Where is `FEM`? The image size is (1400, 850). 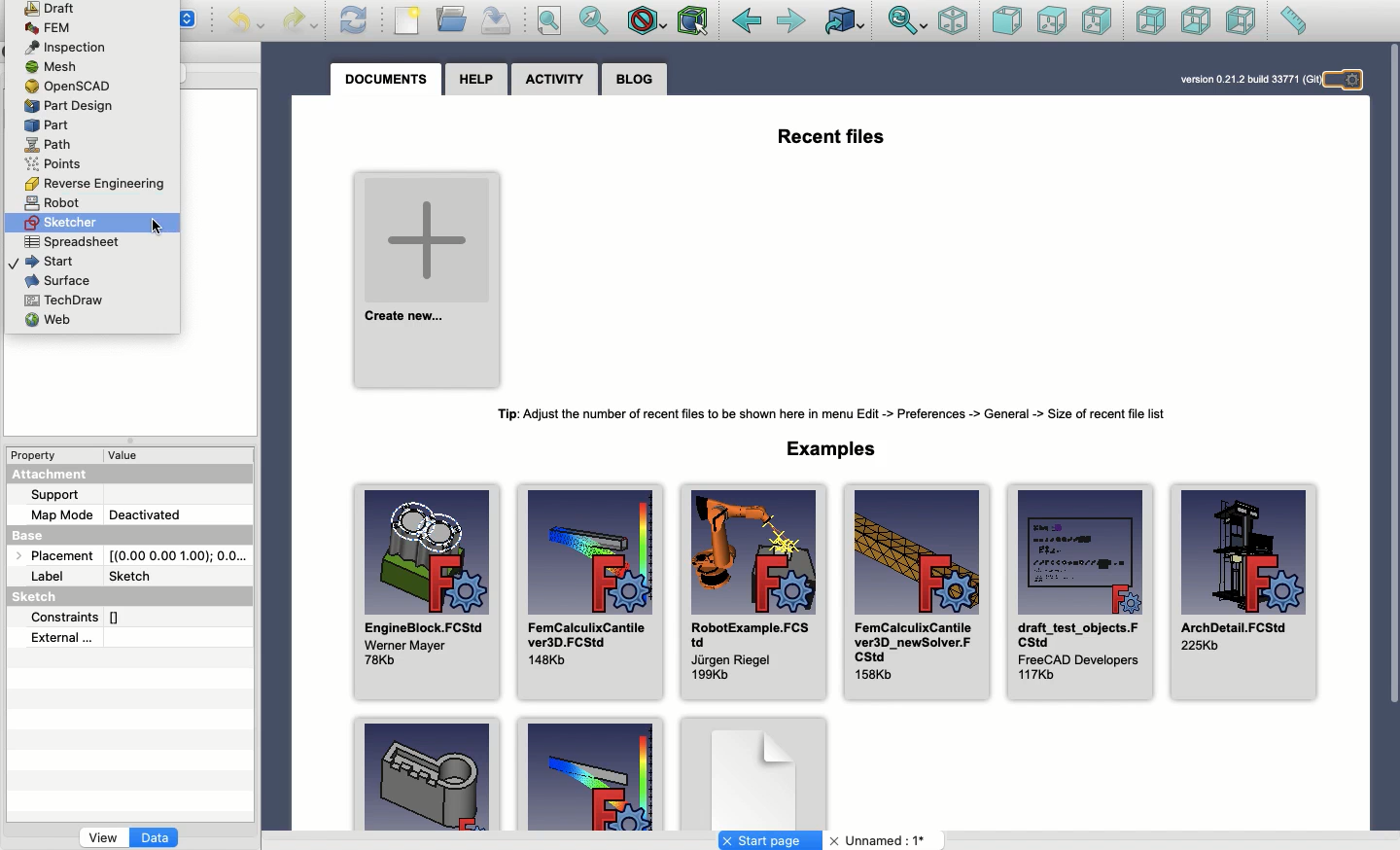
FEM is located at coordinates (47, 28).